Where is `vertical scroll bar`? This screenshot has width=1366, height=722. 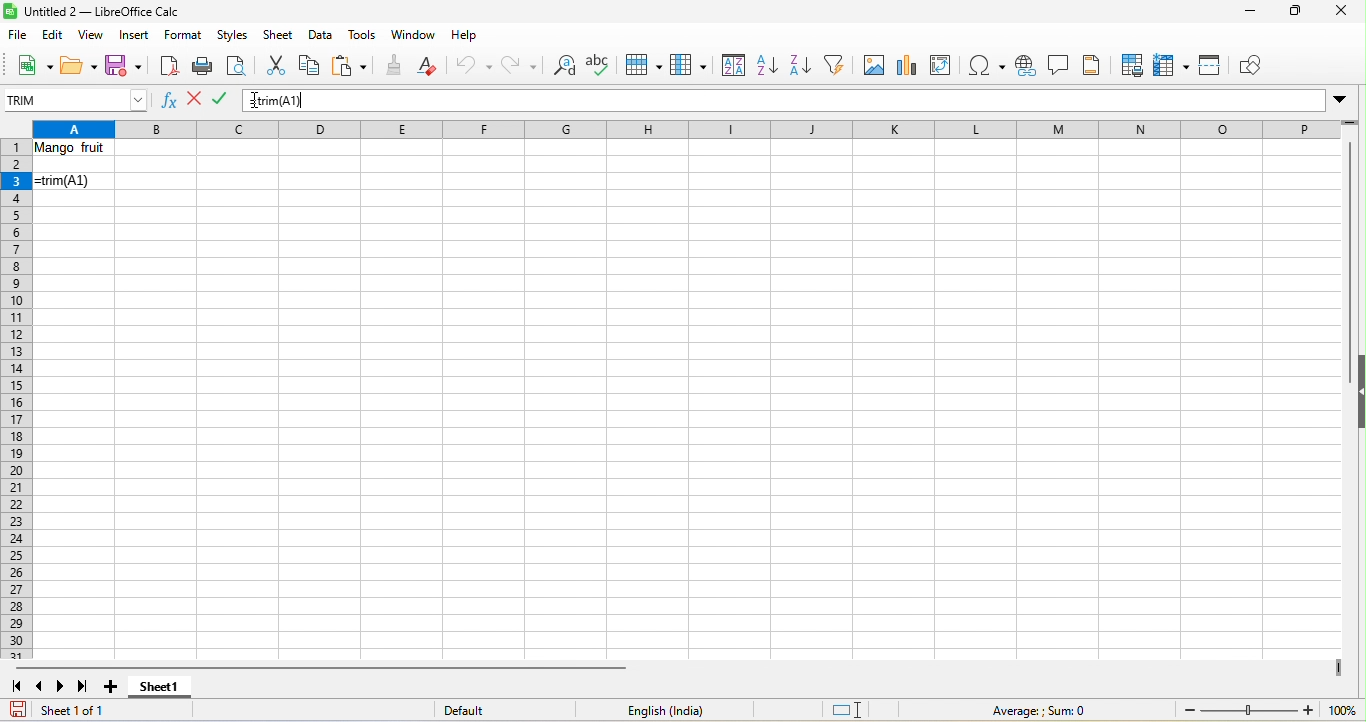
vertical scroll bar is located at coordinates (1348, 243).